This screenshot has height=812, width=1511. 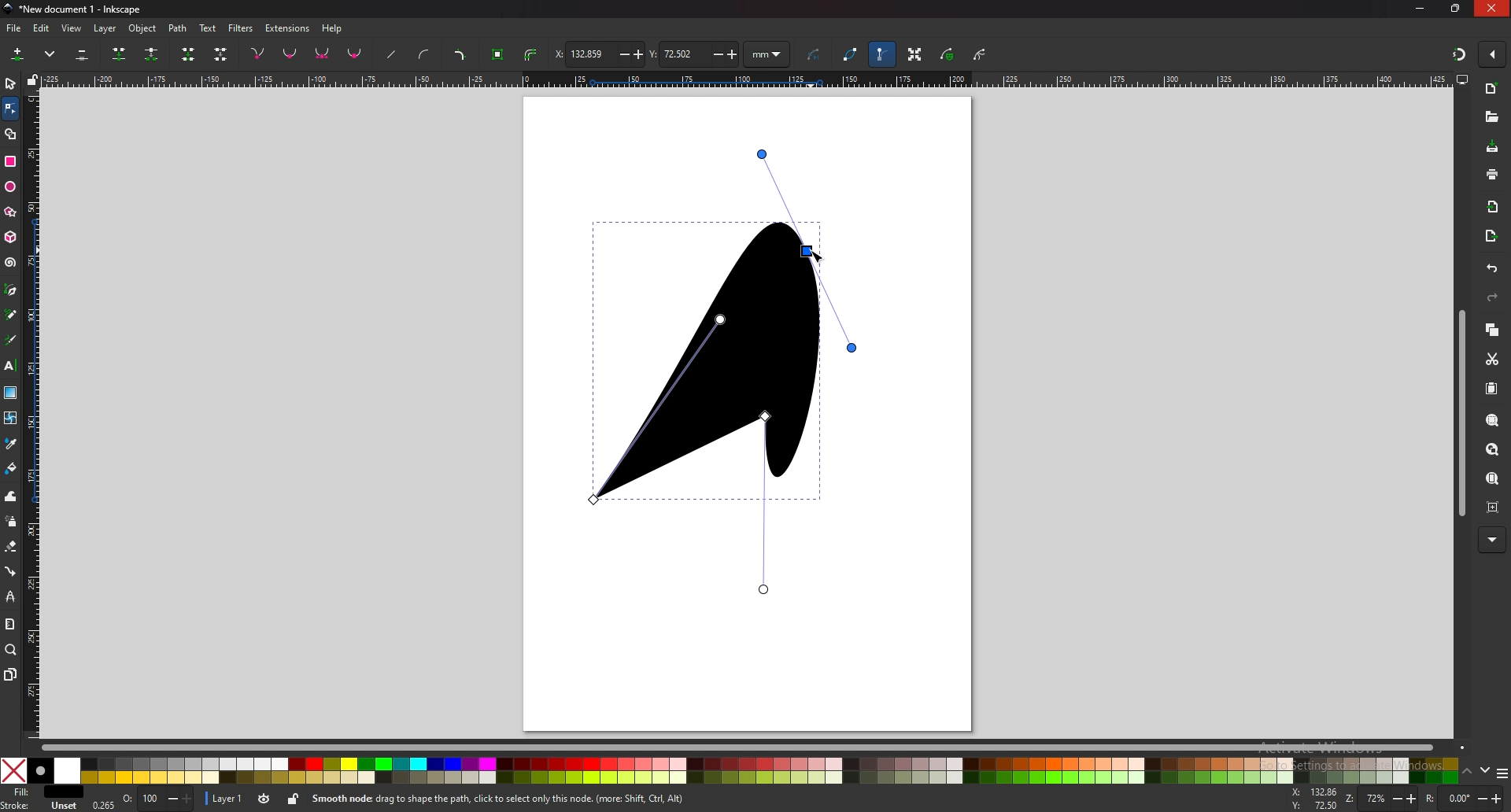 I want to click on drawing, so click(x=738, y=333).